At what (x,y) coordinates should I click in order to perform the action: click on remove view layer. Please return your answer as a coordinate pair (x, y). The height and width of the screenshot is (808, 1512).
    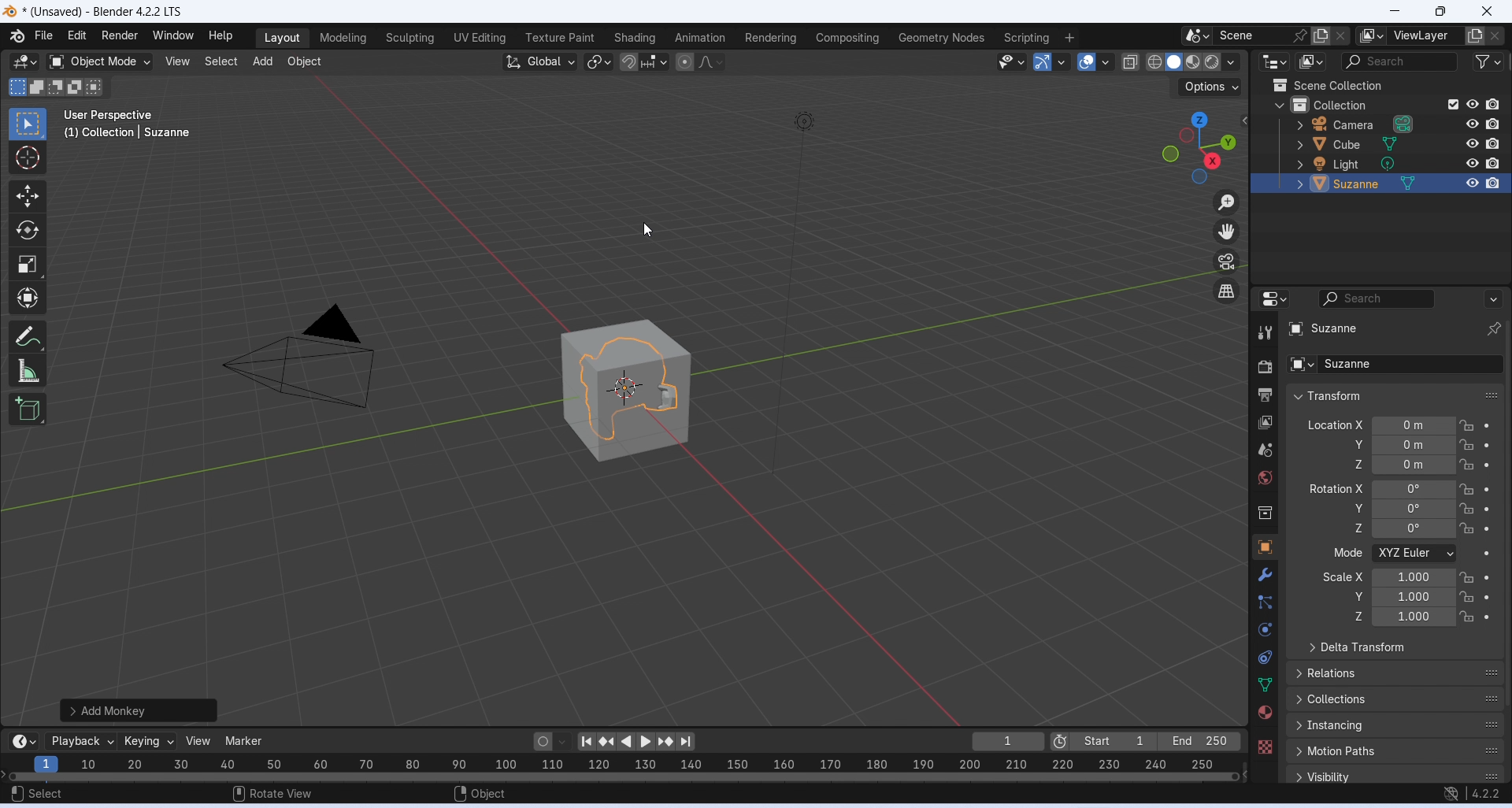
    Looking at the image, I should click on (1496, 36).